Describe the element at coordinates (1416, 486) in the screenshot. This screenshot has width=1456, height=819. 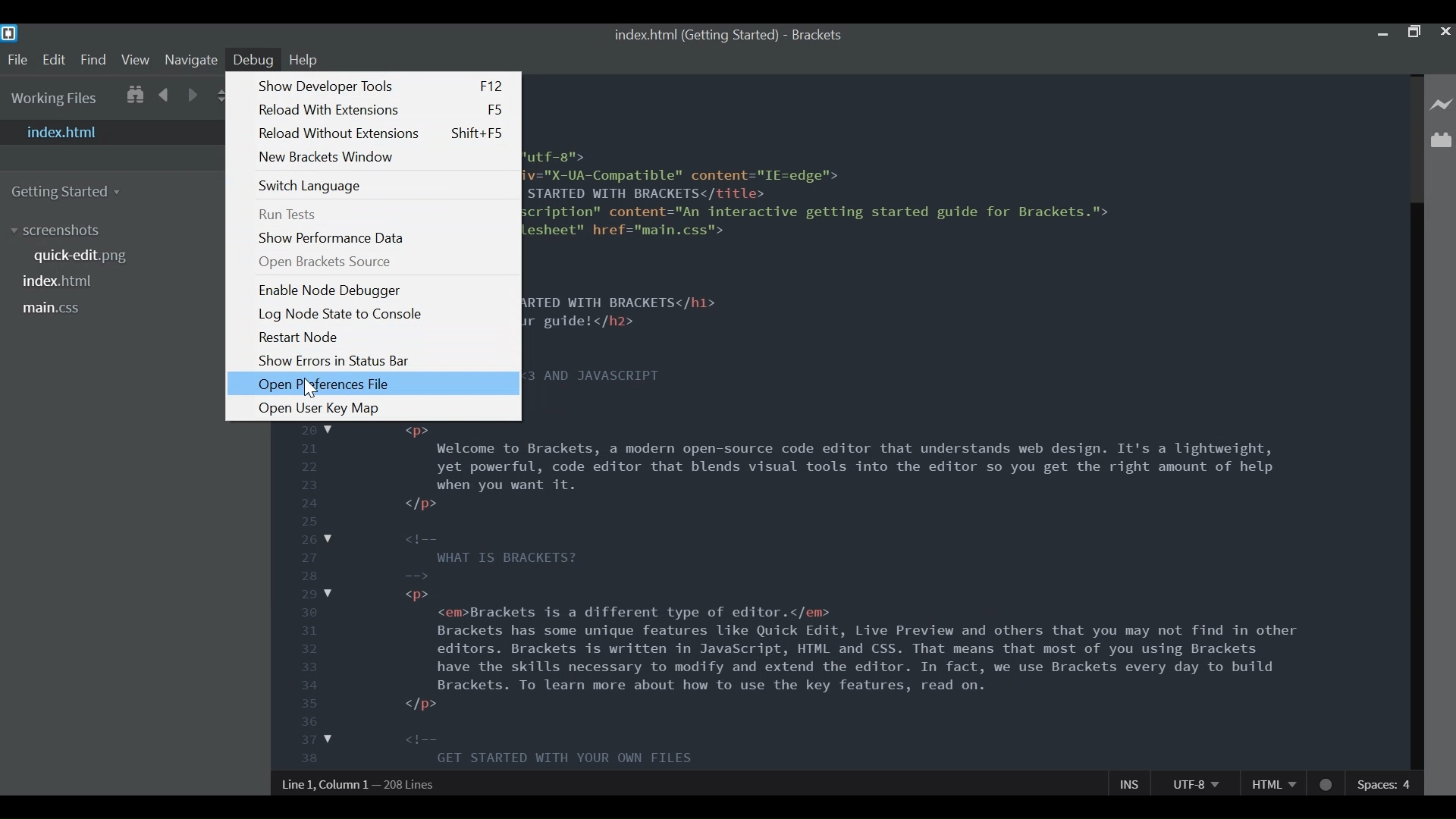
I see `Vertical Scroll bar` at that location.